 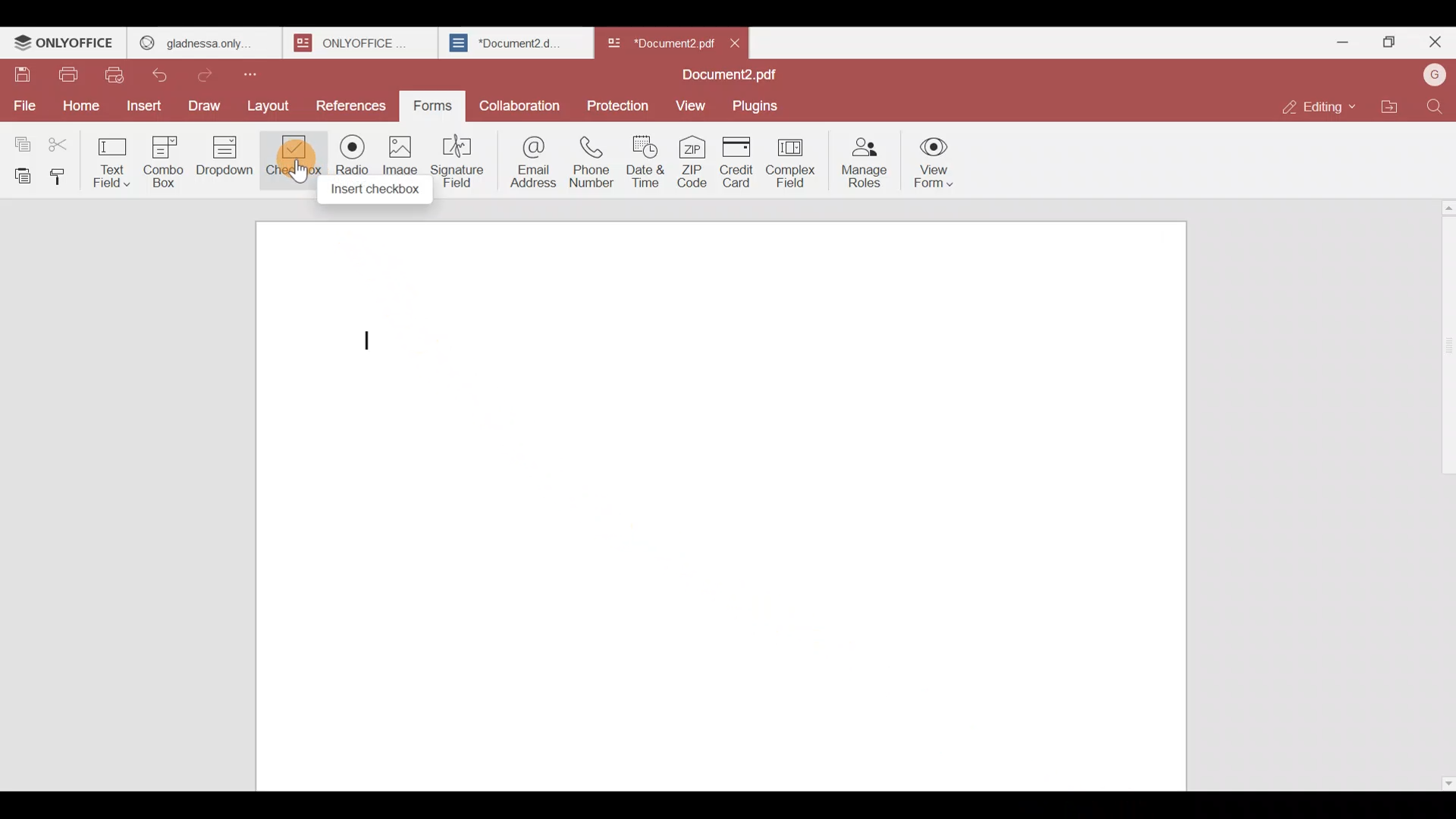 What do you see at coordinates (263, 71) in the screenshot?
I see `Customize quick access toolbar` at bounding box center [263, 71].